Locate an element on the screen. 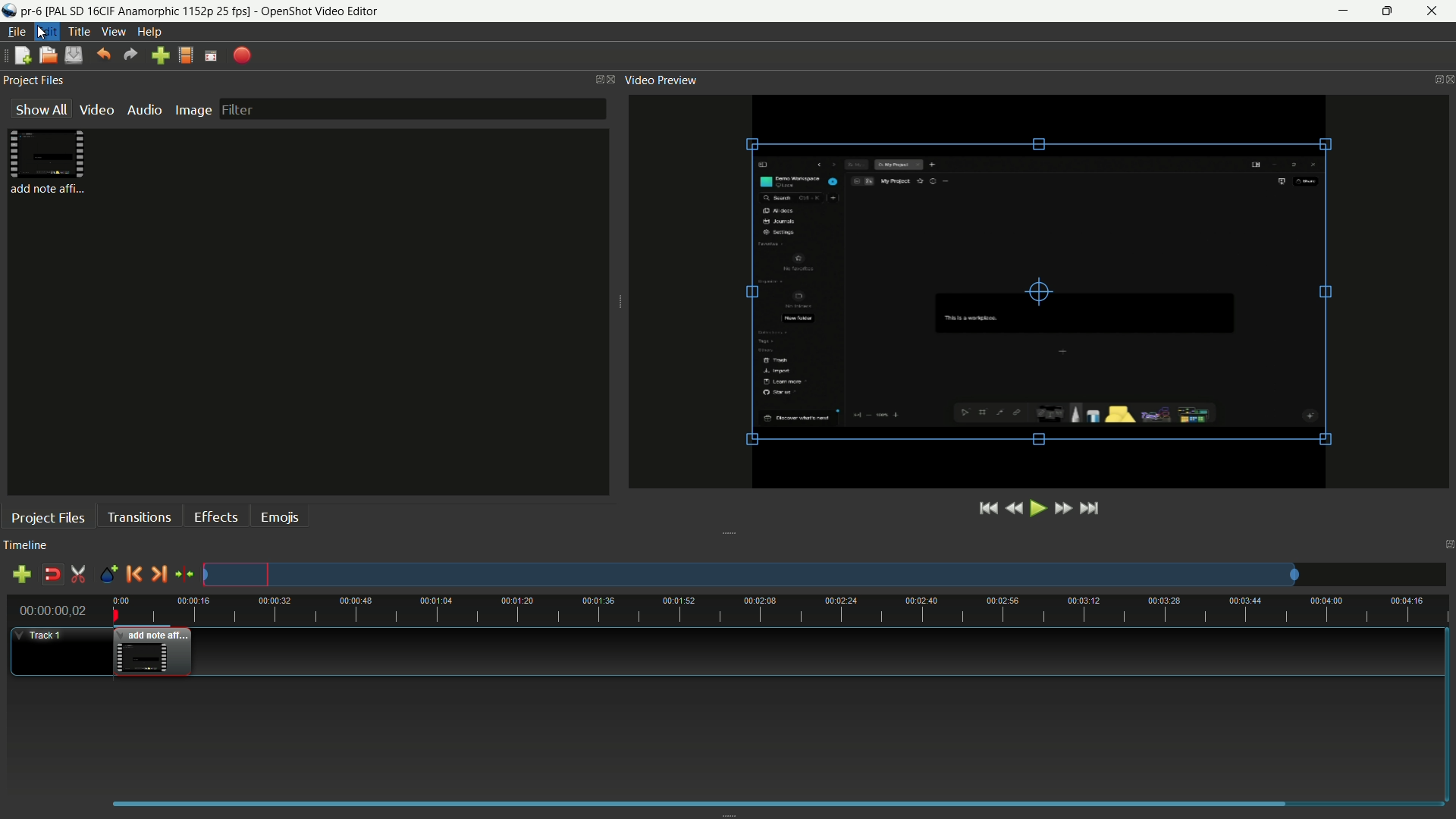 The image size is (1456, 819). project files is located at coordinates (49, 162).